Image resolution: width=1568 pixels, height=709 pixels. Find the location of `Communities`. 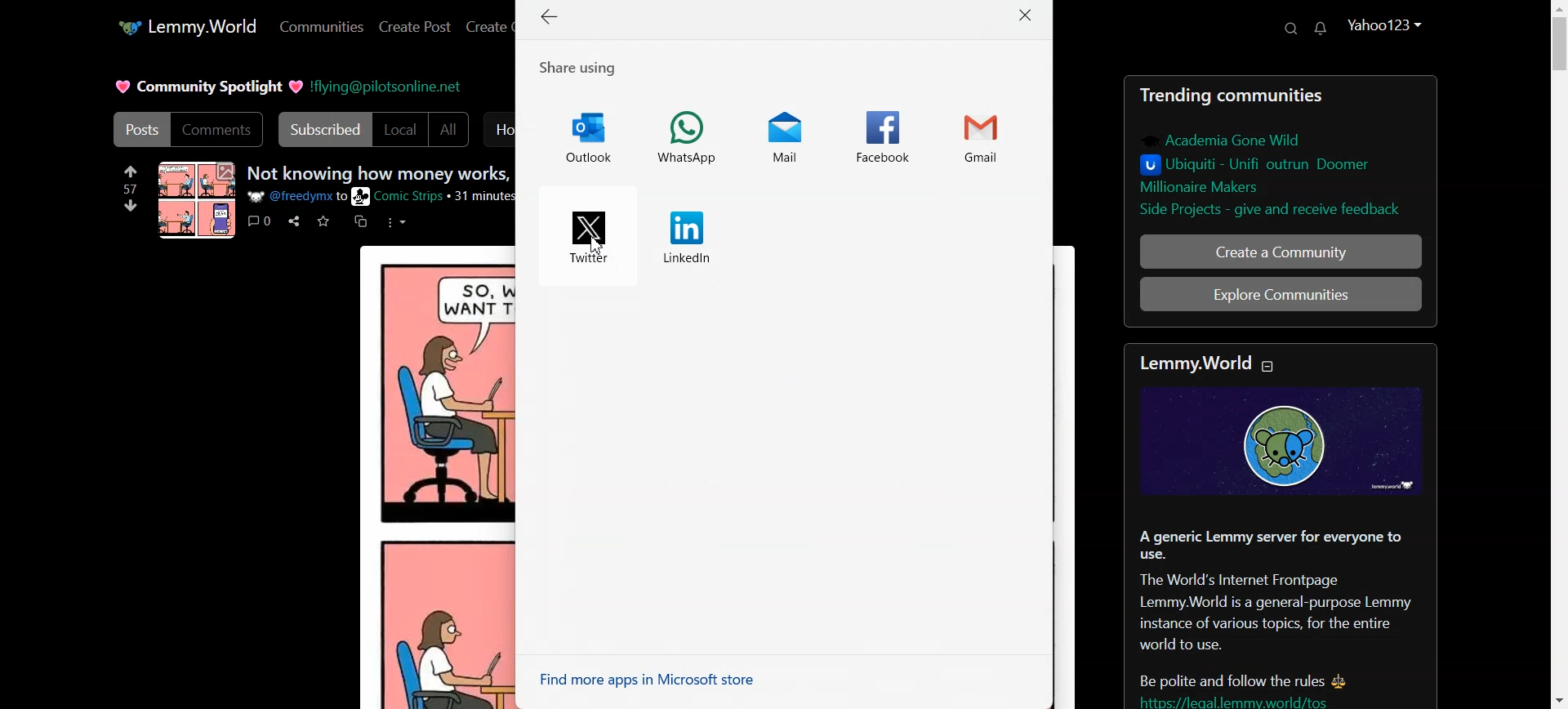

Communities is located at coordinates (321, 26).